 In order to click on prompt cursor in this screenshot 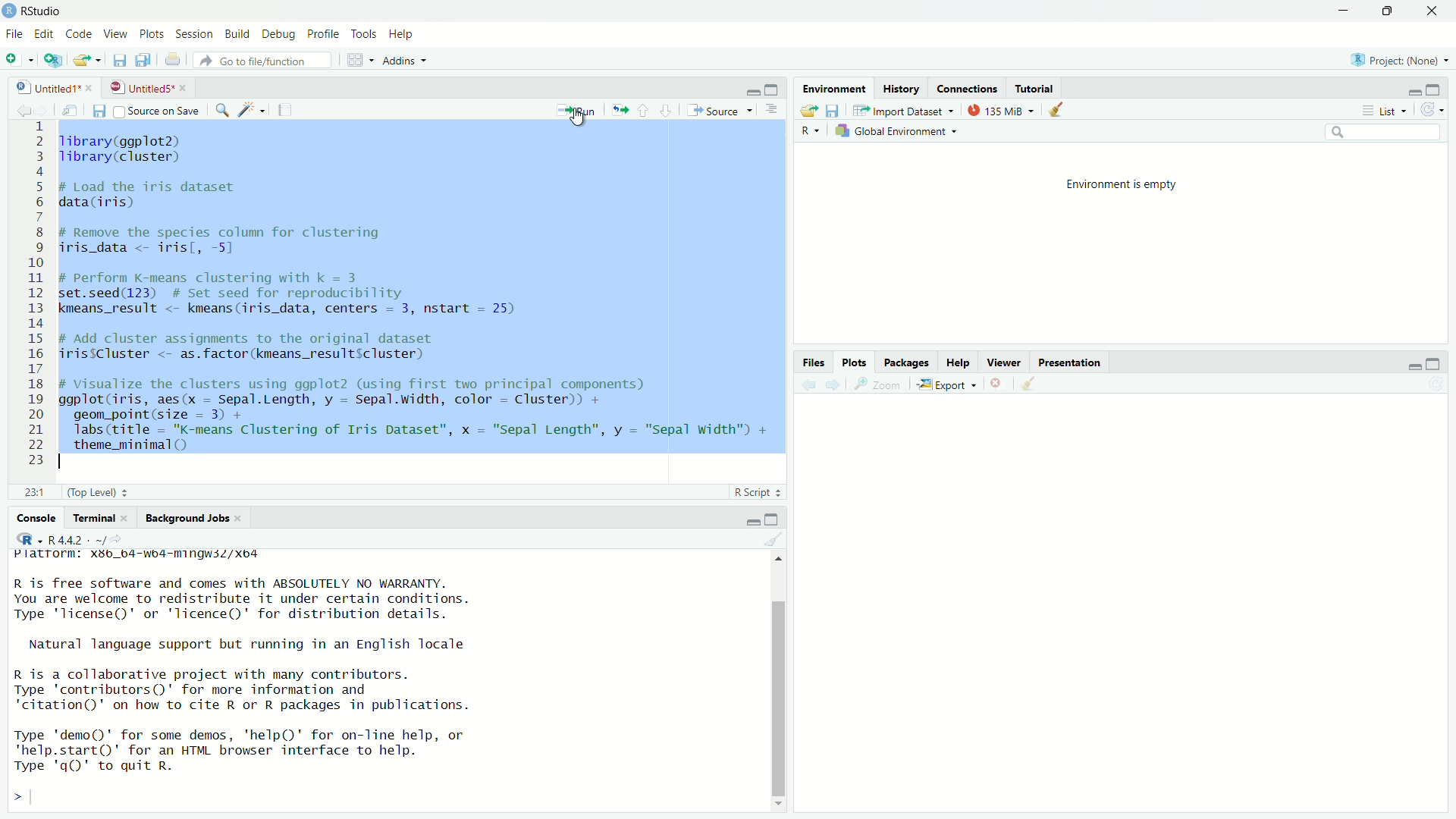, I will do `click(13, 799)`.